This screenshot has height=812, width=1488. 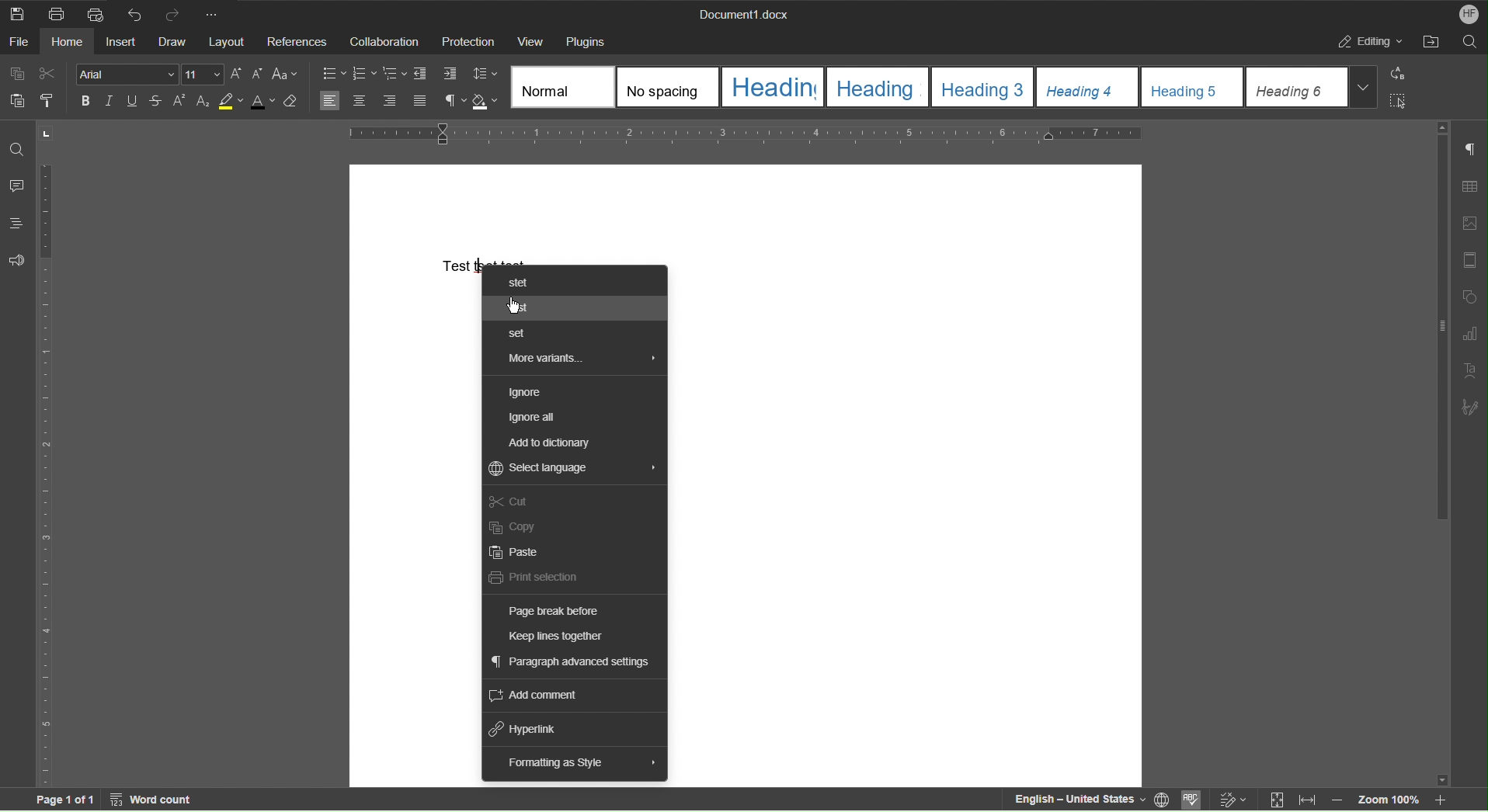 What do you see at coordinates (983, 87) in the screenshot?
I see `Heading 3` at bounding box center [983, 87].